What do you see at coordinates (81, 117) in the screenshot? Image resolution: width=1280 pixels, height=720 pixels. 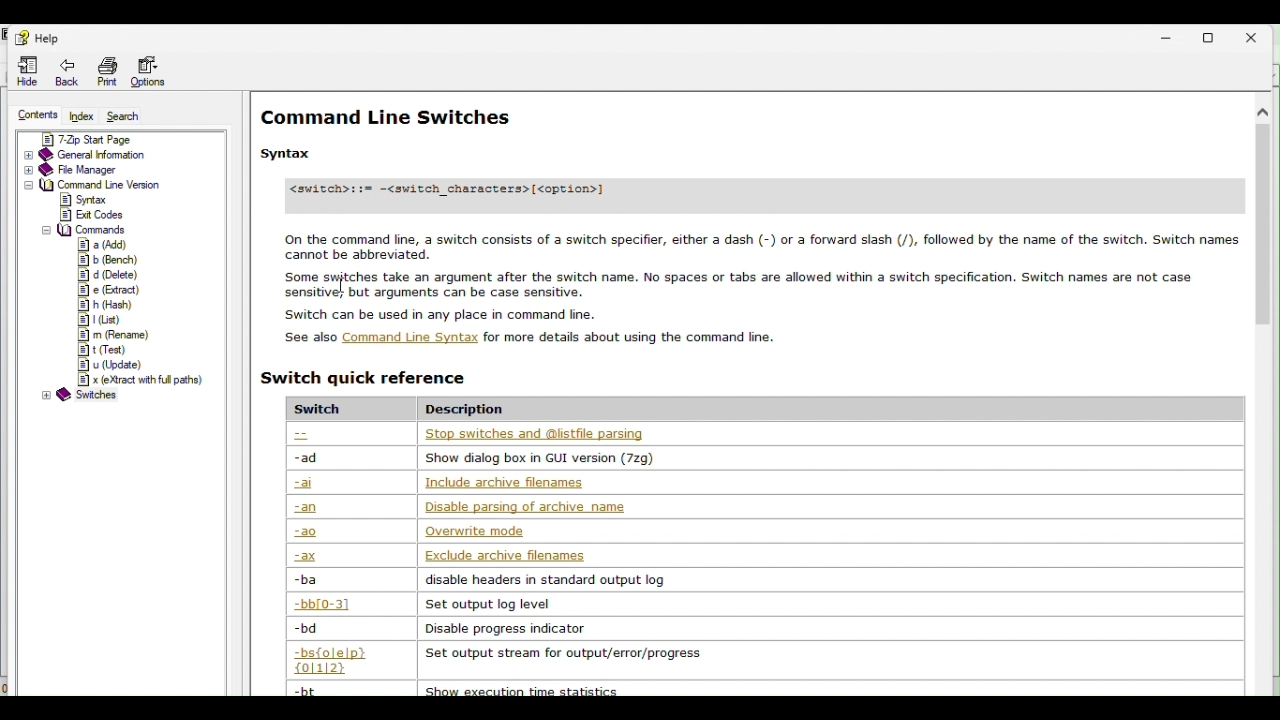 I see `Index` at bounding box center [81, 117].